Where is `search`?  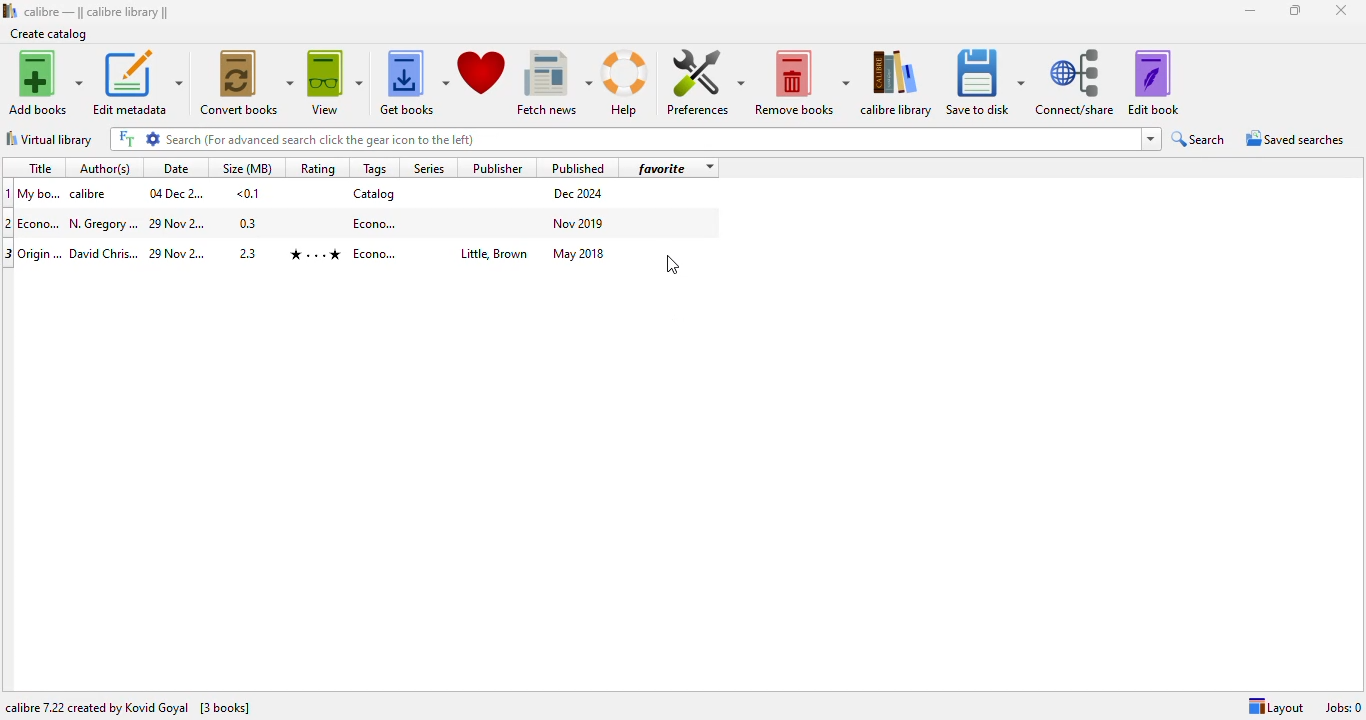 search is located at coordinates (651, 139).